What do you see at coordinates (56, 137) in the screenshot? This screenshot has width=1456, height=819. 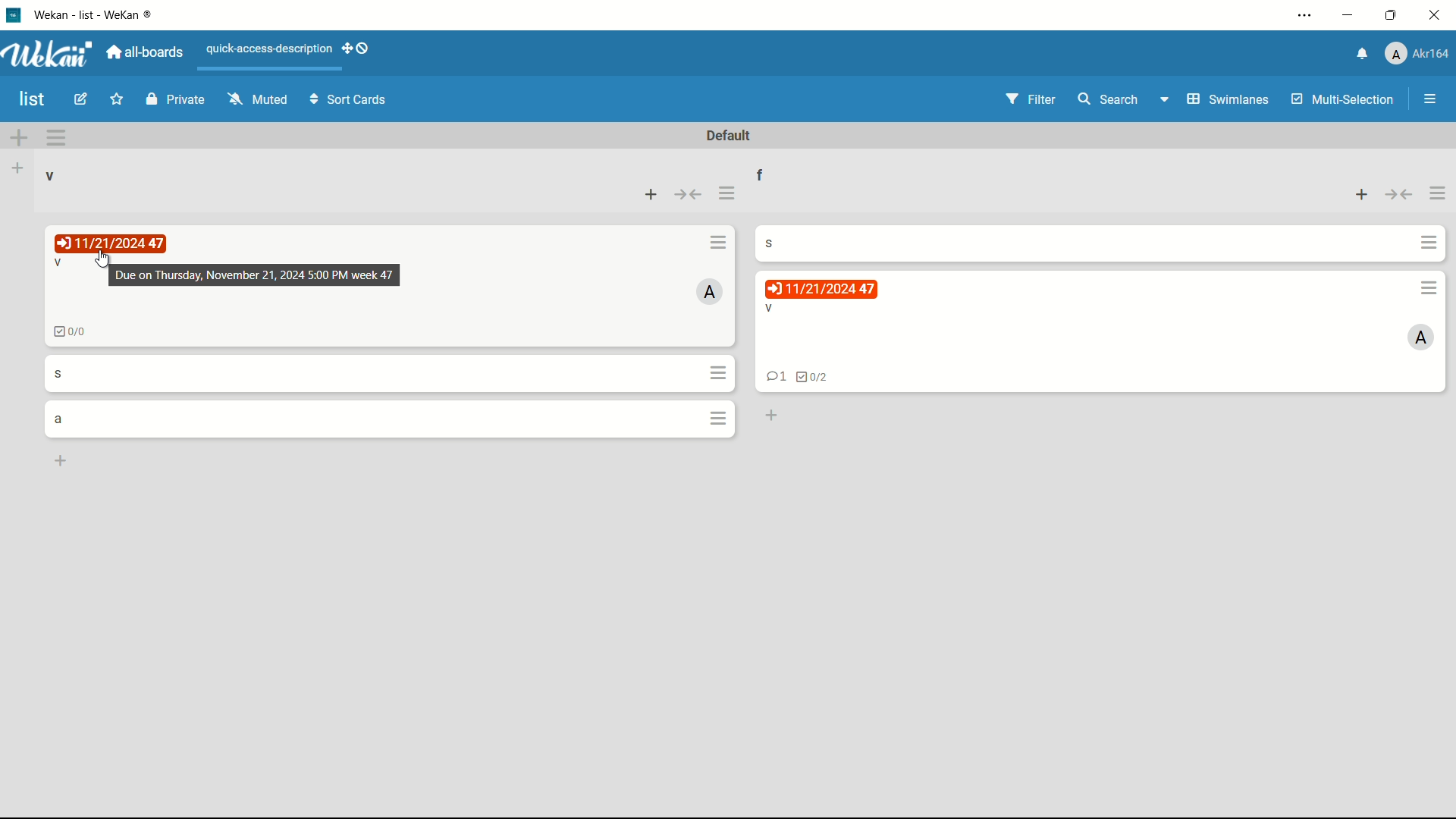 I see `swimlanes action` at bounding box center [56, 137].